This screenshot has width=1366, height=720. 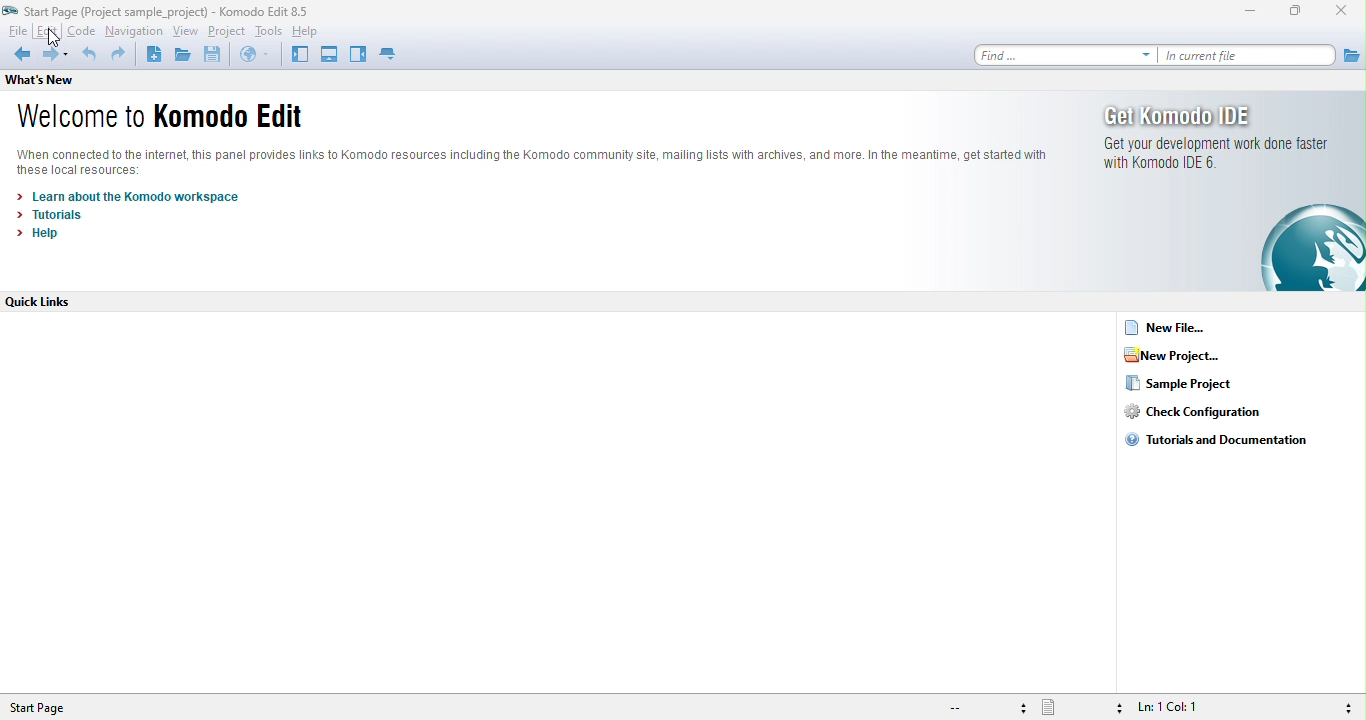 I want to click on welcome to komodo edit, so click(x=170, y=116).